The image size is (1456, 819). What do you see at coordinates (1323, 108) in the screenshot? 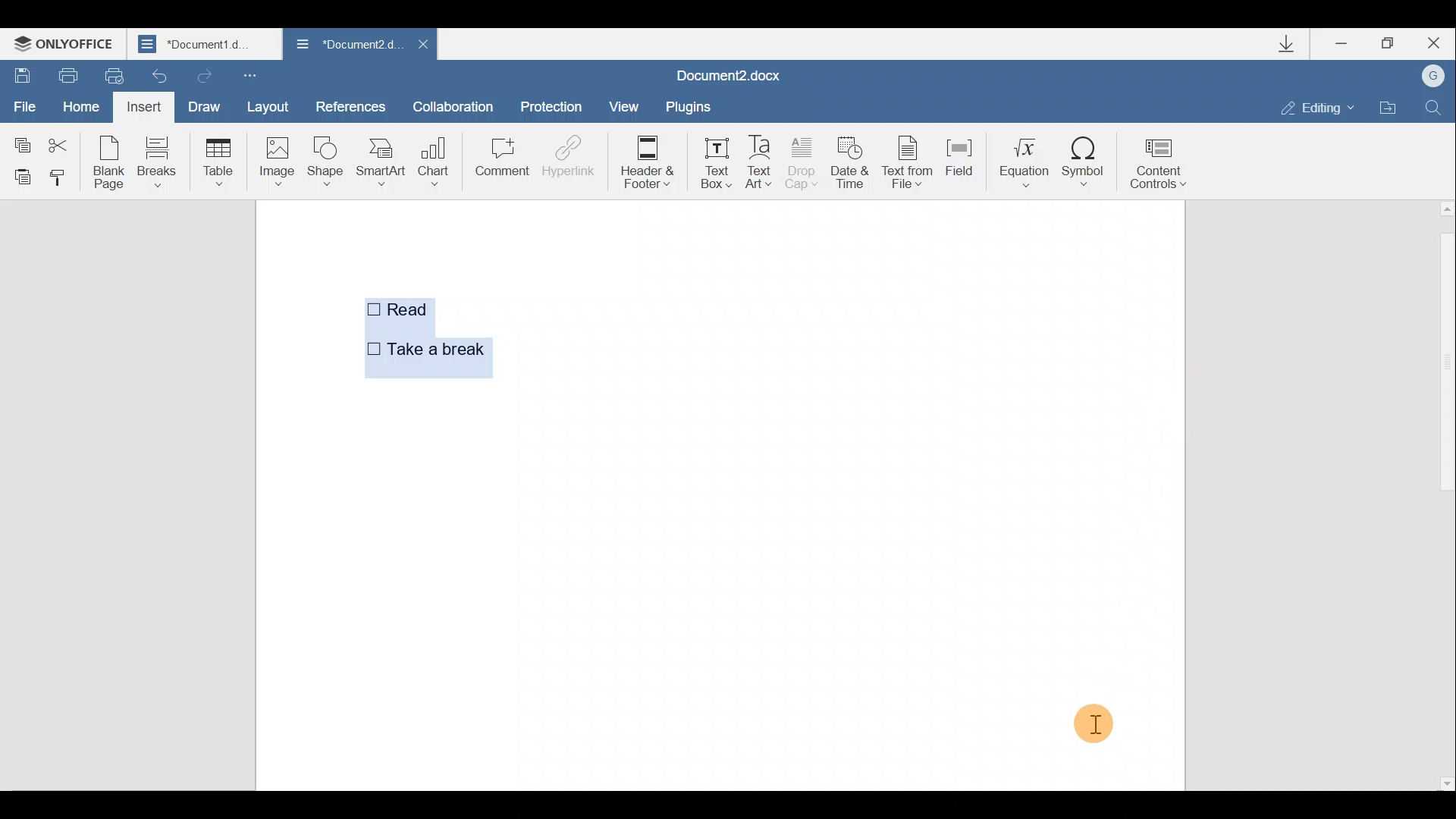
I see `Editing` at bounding box center [1323, 108].